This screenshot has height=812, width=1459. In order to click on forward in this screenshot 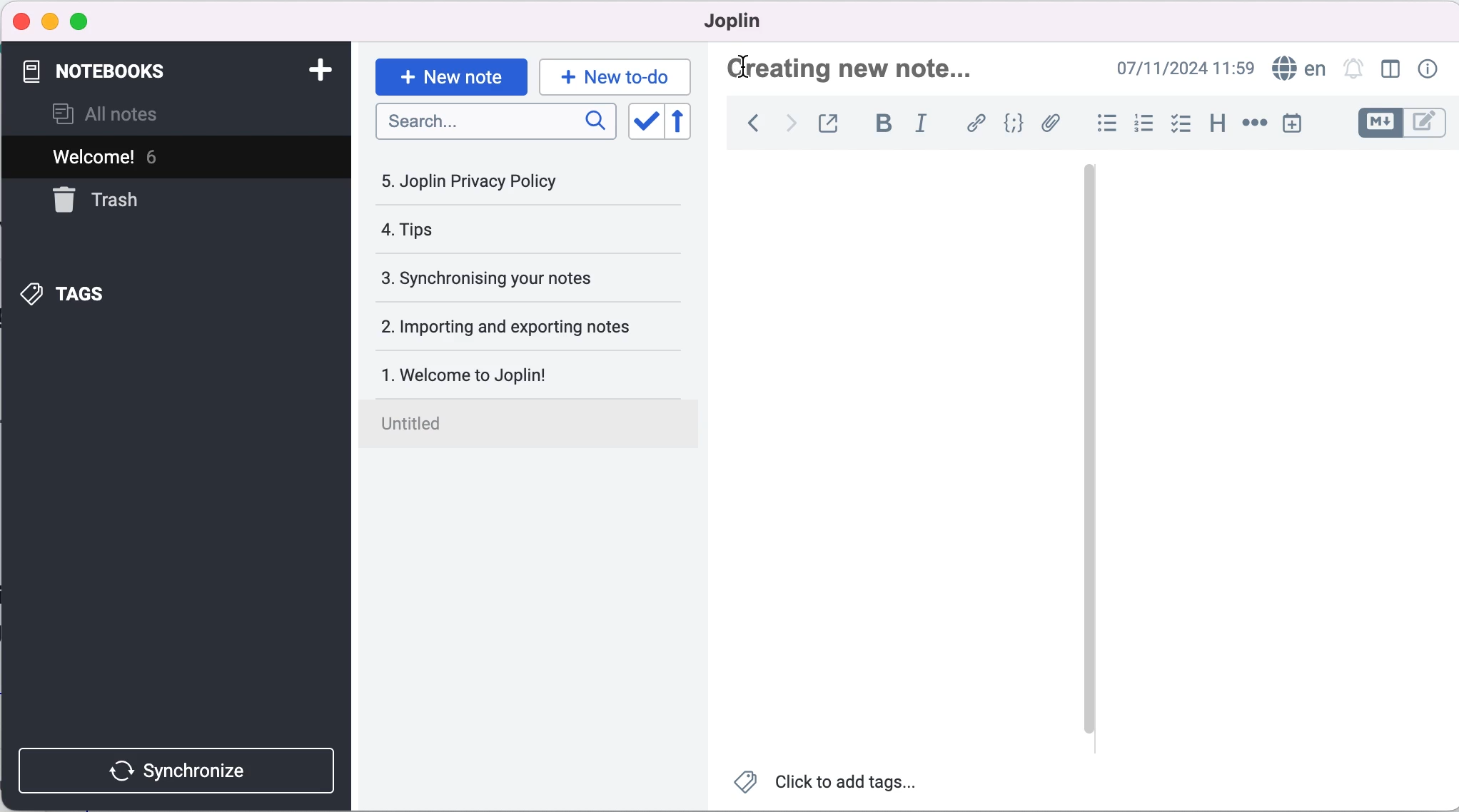, I will do `click(787, 126)`.